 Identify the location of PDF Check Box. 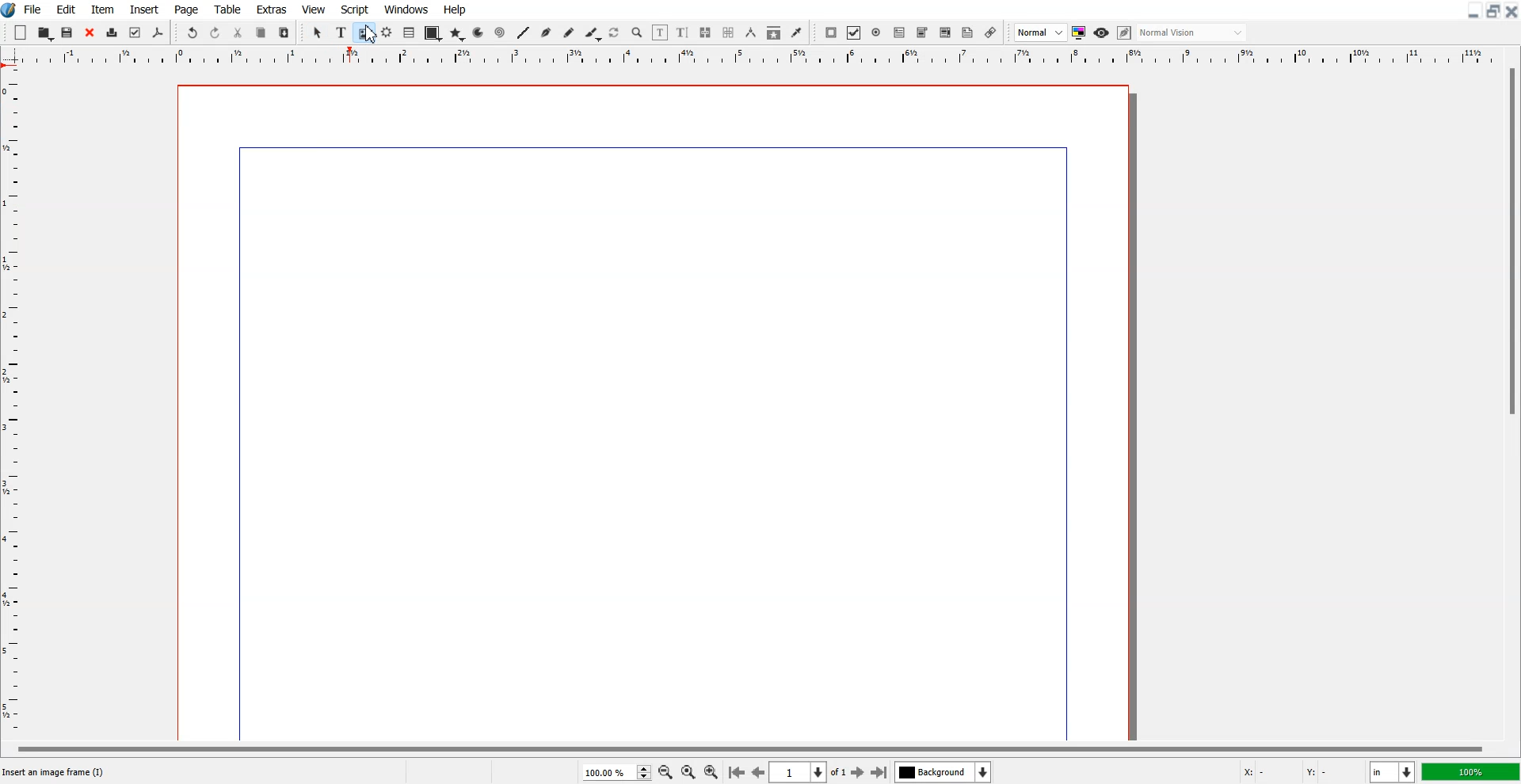
(854, 32).